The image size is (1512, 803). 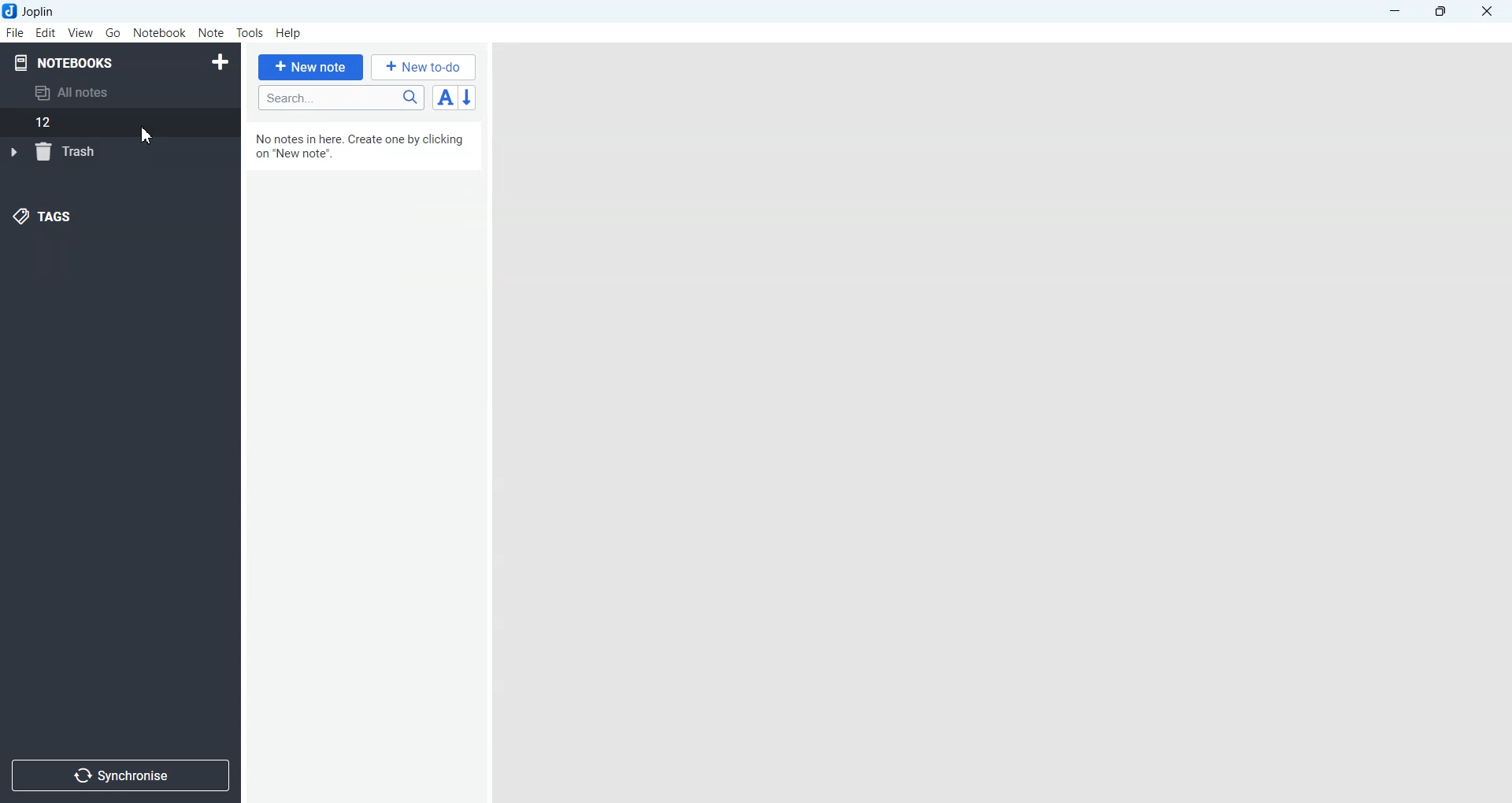 What do you see at coordinates (1395, 12) in the screenshot?
I see `Minimize` at bounding box center [1395, 12].